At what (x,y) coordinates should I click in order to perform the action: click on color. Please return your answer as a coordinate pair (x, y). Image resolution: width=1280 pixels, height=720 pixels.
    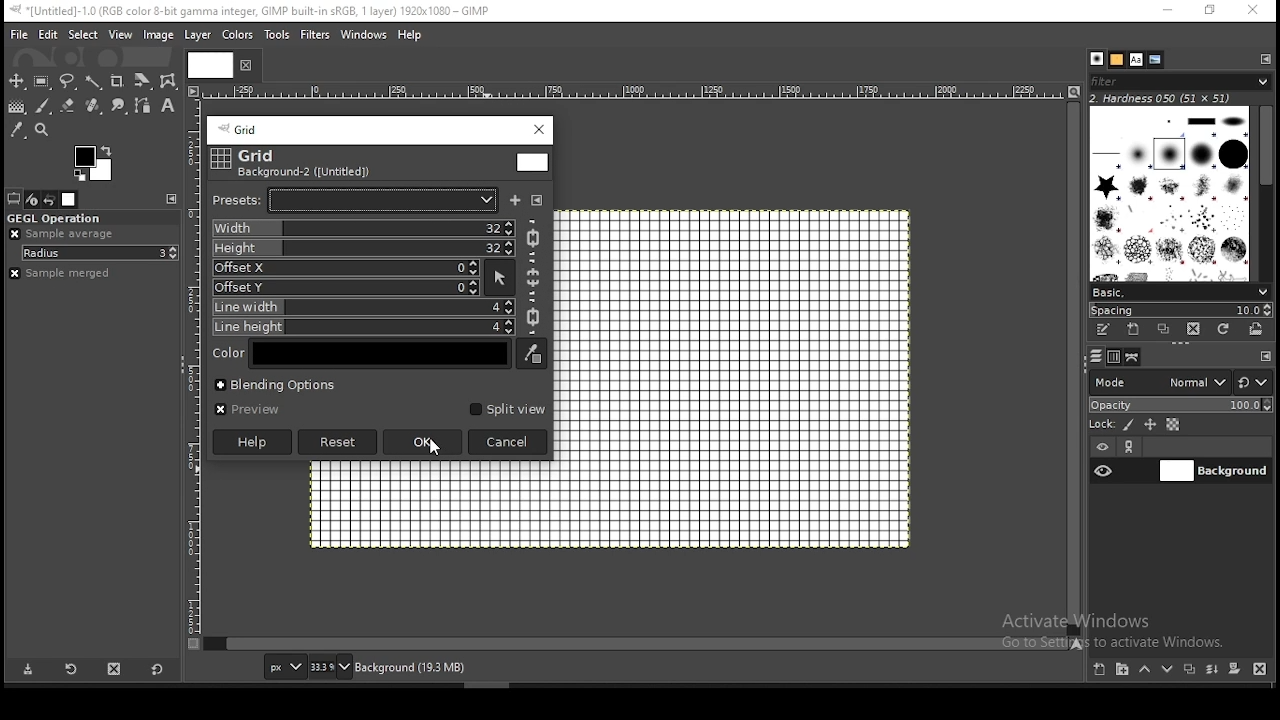
    Looking at the image, I should click on (533, 163).